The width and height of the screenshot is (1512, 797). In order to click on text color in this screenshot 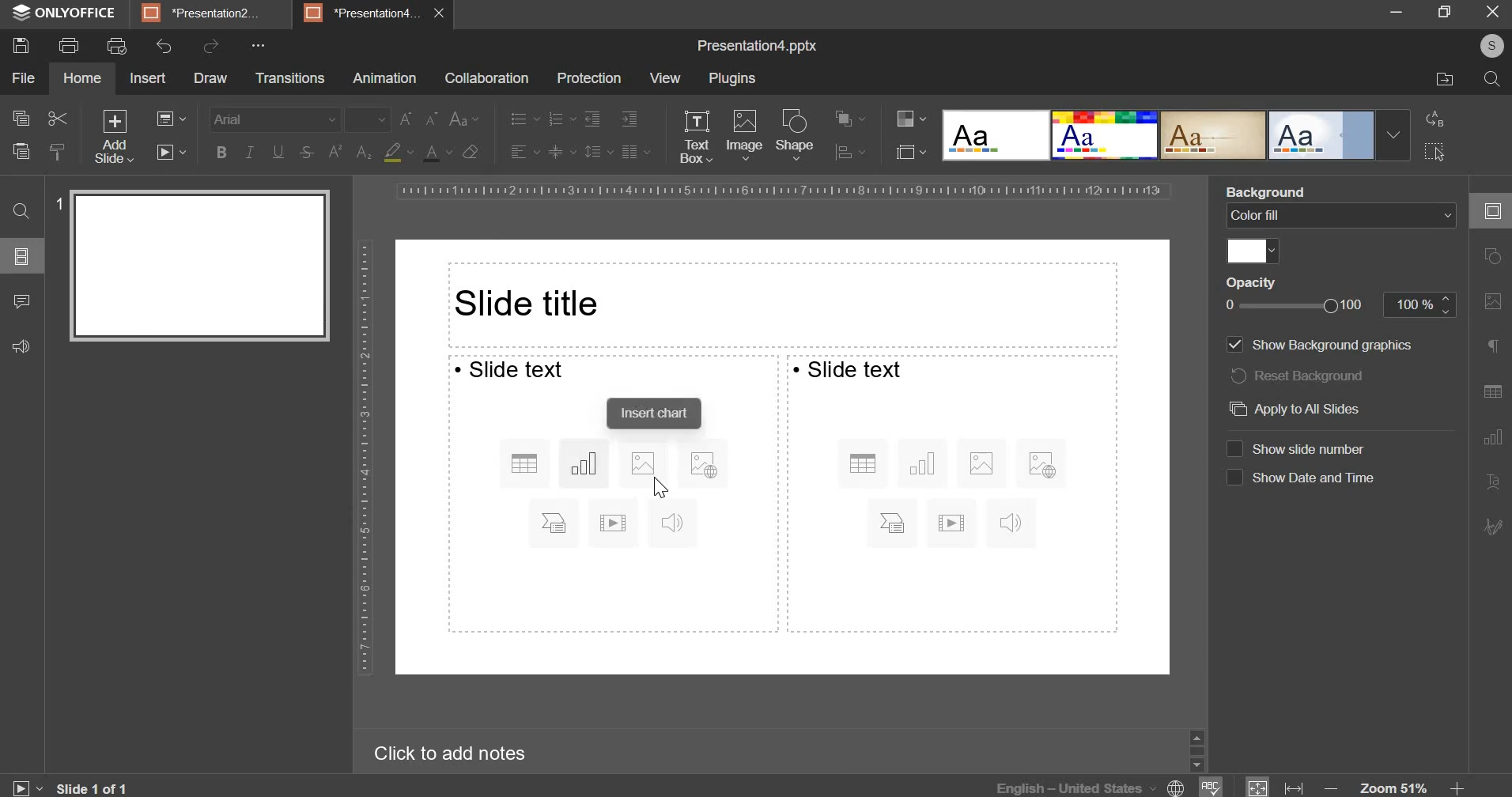, I will do `click(437, 153)`.